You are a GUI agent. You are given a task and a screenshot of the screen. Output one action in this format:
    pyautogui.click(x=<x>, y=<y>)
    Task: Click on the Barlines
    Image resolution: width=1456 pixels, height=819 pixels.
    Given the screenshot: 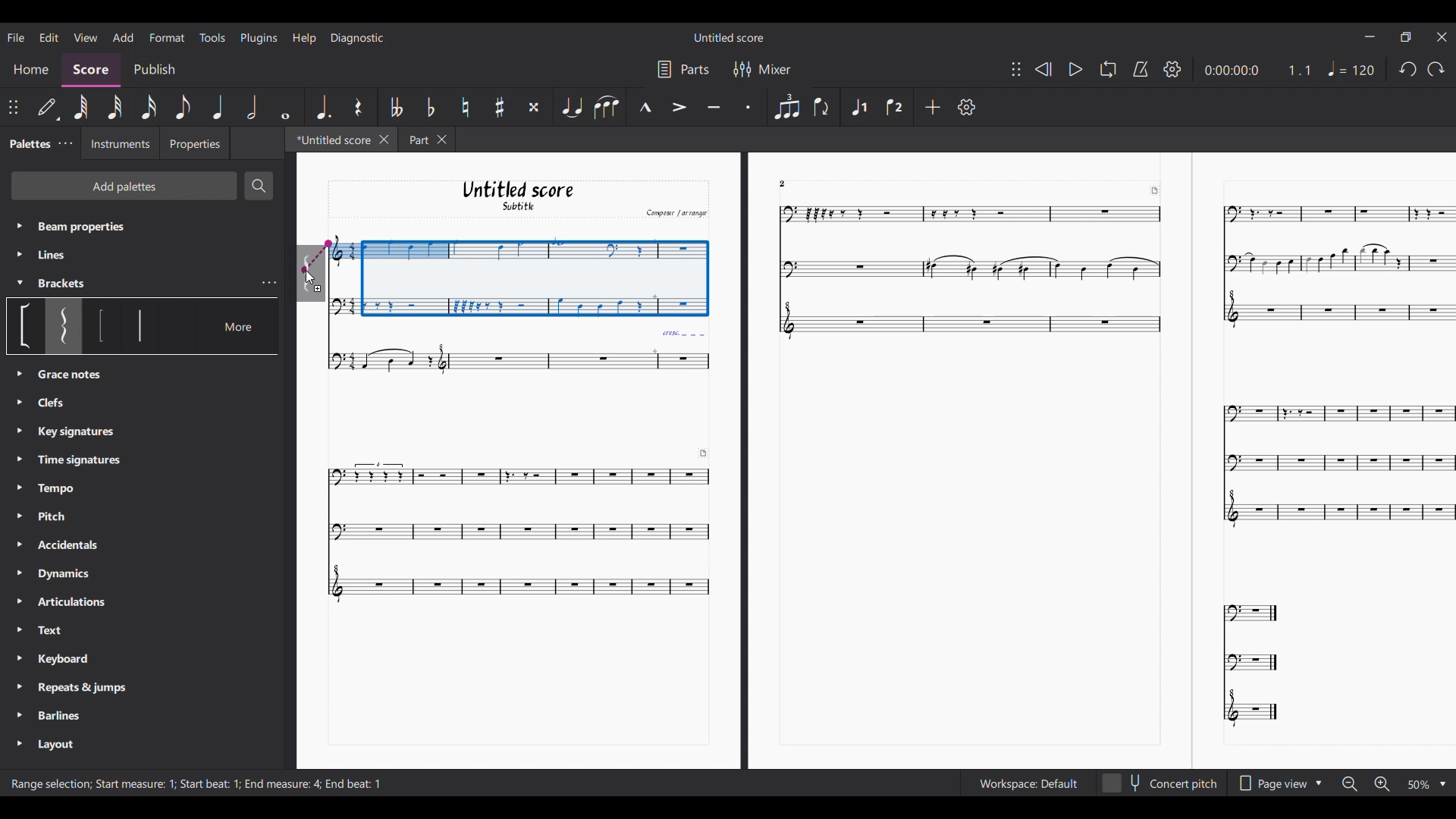 What is the action you would take?
    pyautogui.click(x=66, y=714)
    